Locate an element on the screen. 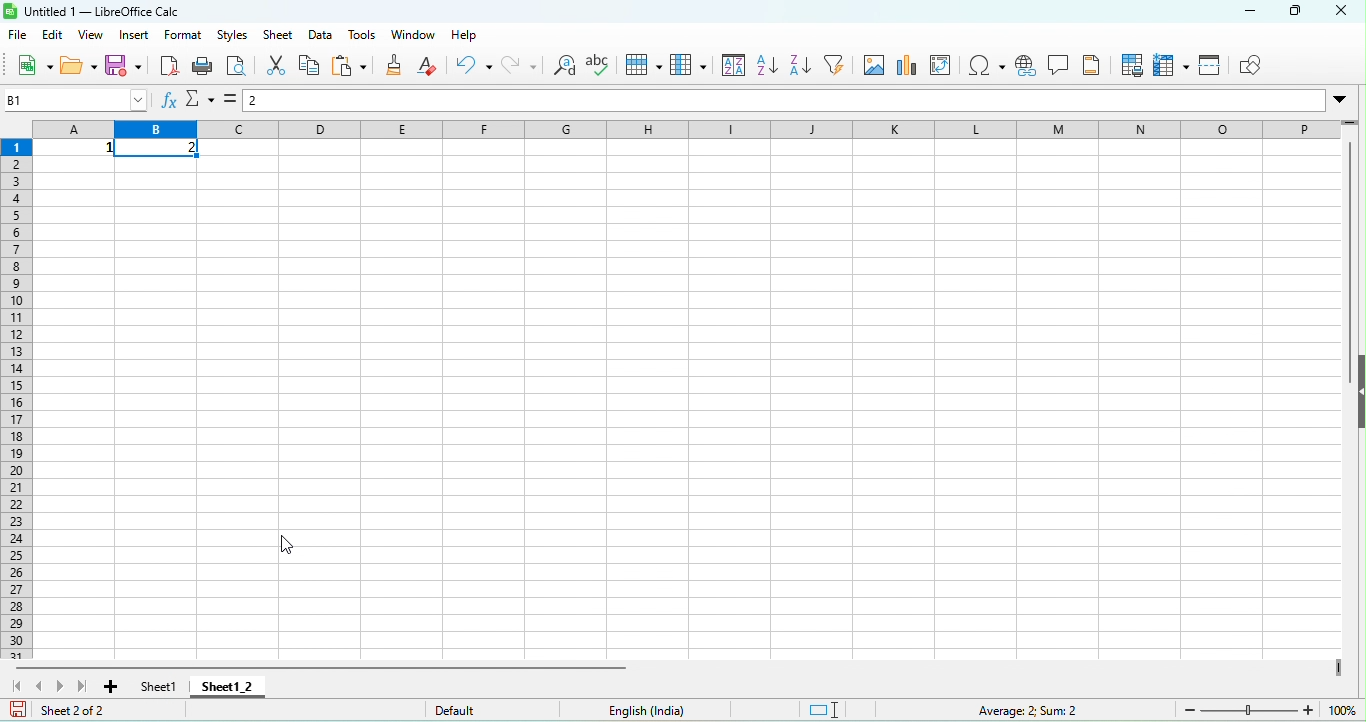  spelling is located at coordinates (604, 67).